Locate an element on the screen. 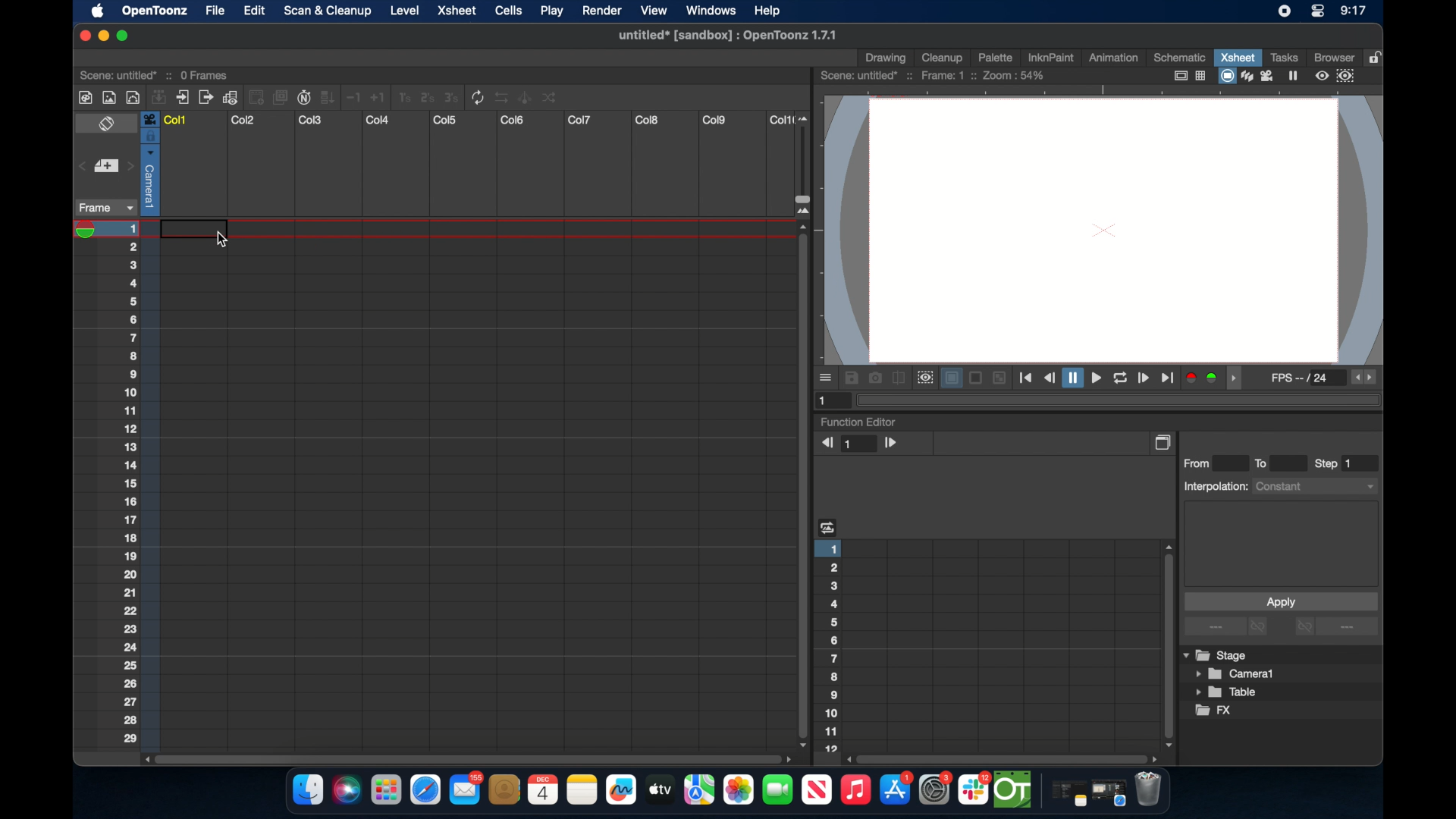  edit is located at coordinates (252, 11).